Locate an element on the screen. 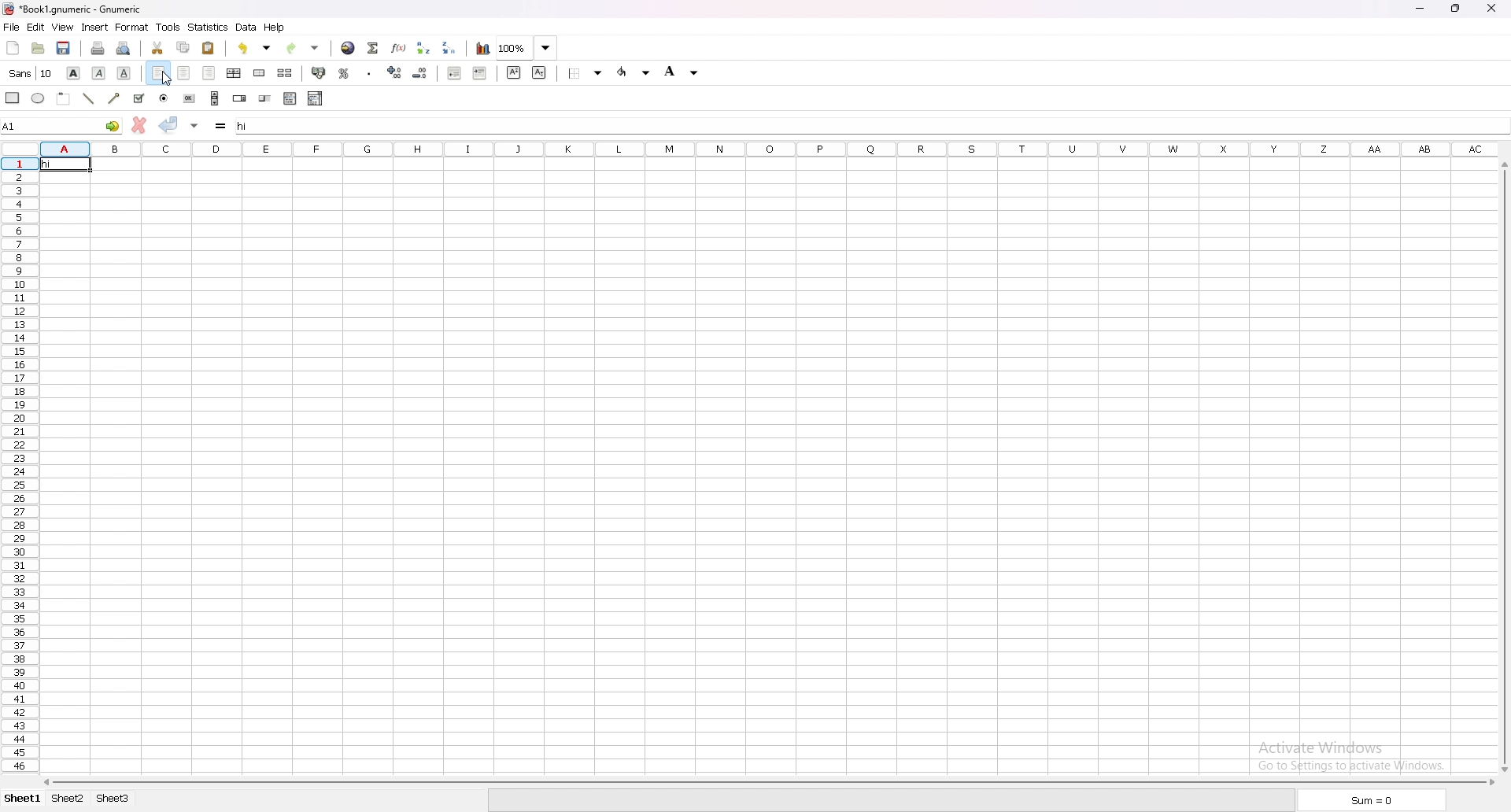 The height and width of the screenshot is (812, 1511). bold is located at coordinates (73, 72).